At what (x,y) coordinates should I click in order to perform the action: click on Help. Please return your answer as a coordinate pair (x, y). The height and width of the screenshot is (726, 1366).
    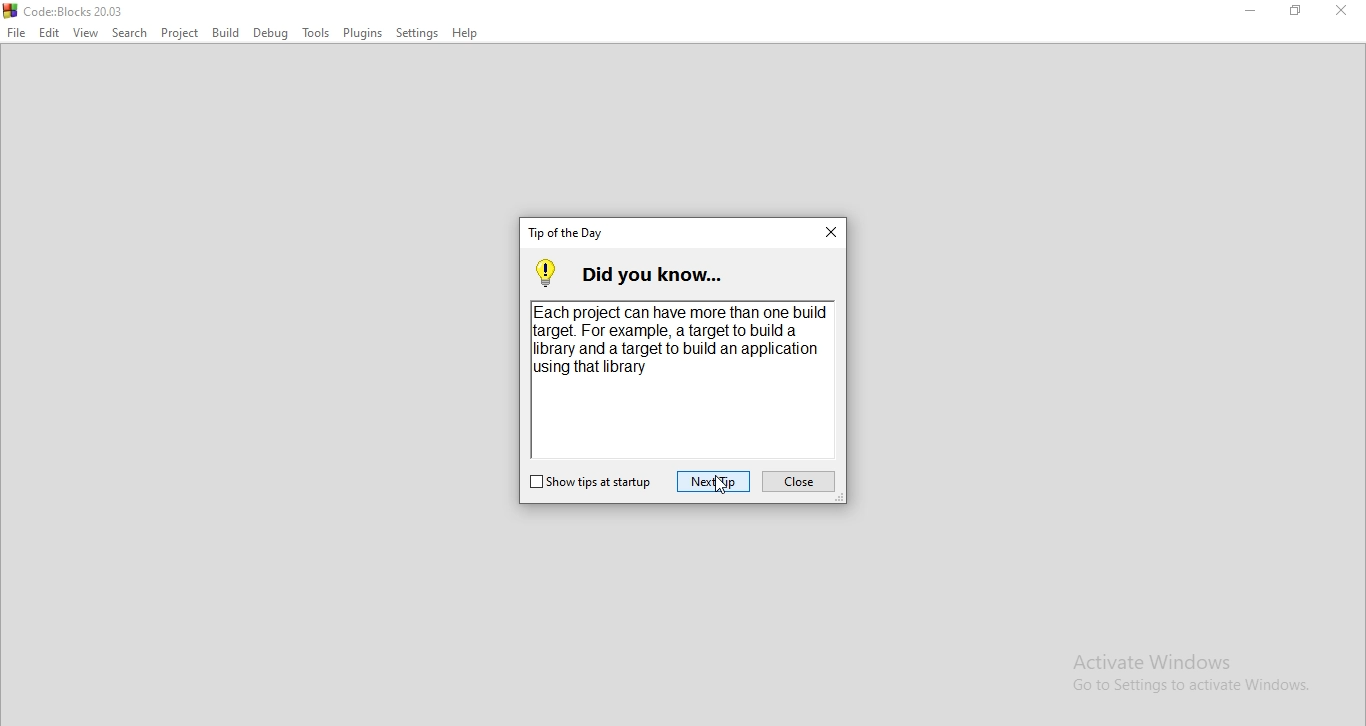
    Looking at the image, I should click on (469, 35).